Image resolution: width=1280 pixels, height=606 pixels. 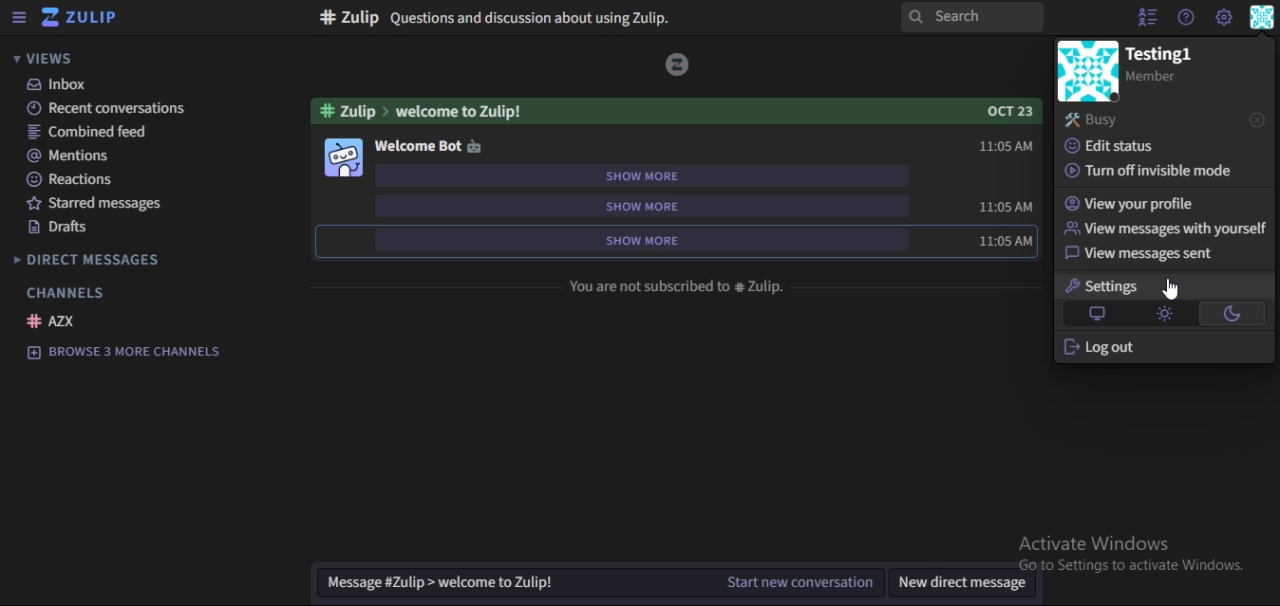 What do you see at coordinates (1118, 145) in the screenshot?
I see `edit status` at bounding box center [1118, 145].